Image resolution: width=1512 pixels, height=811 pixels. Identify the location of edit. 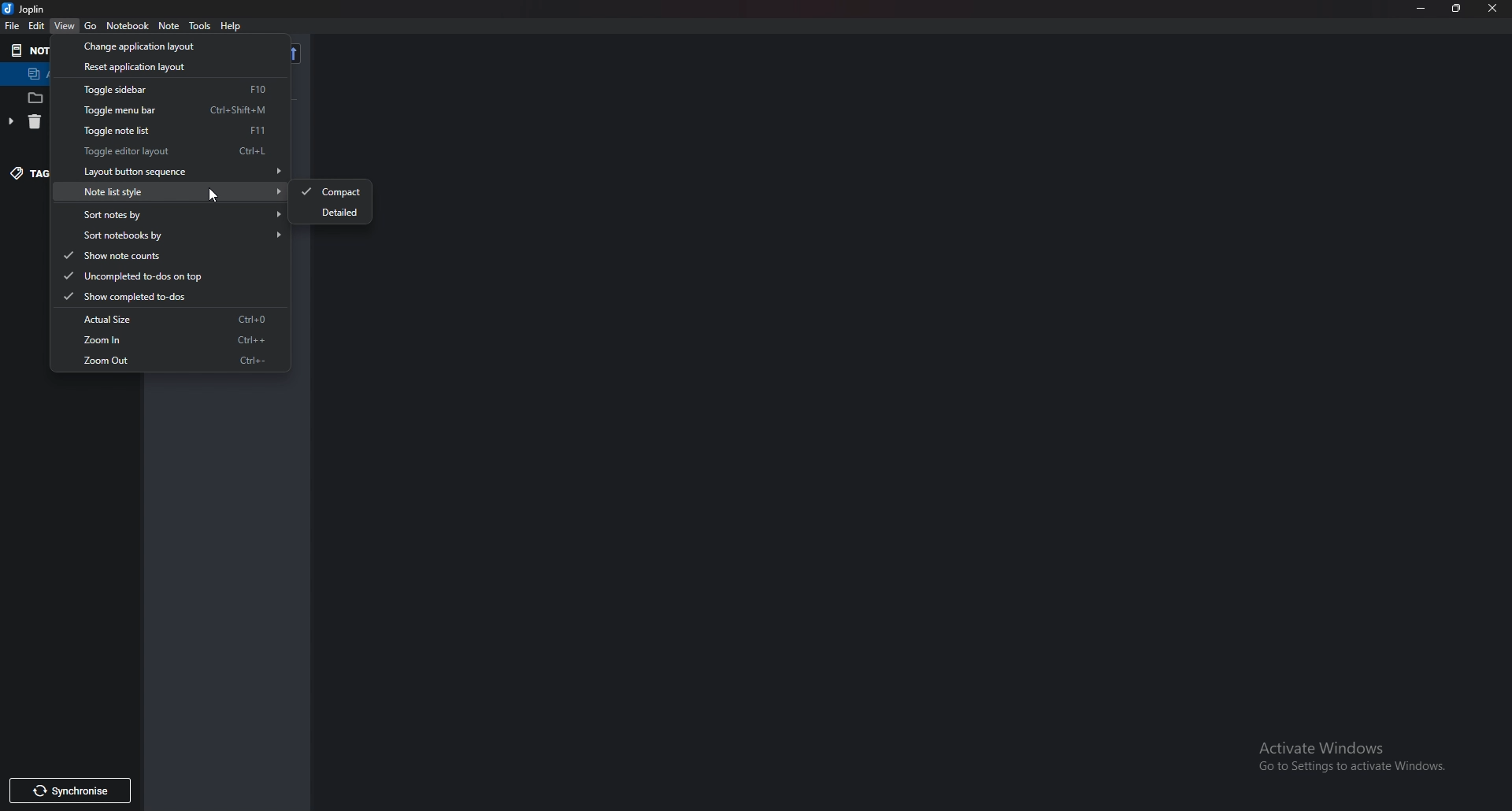
(36, 28).